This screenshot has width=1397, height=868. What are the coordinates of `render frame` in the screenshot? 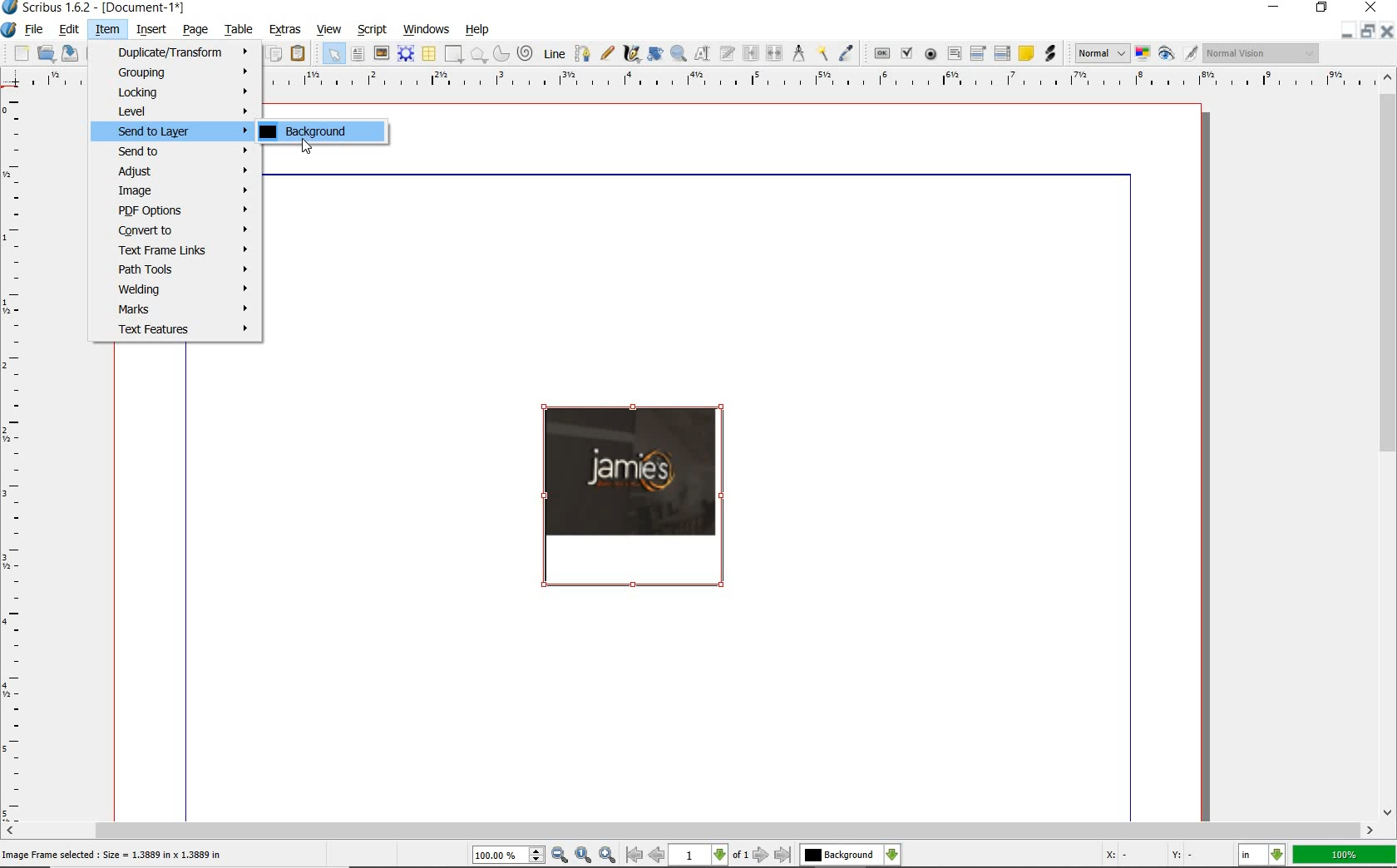 It's located at (407, 54).